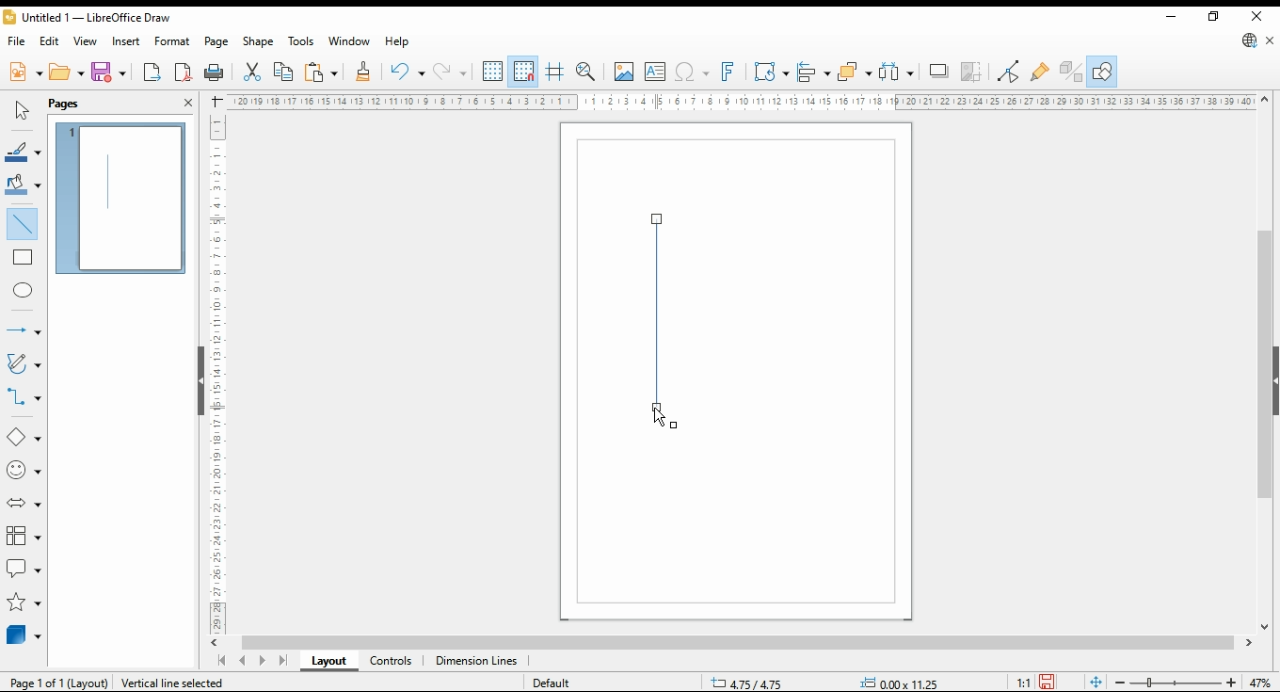 This screenshot has height=692, width=1280. I want to click on file, so click(17, 42).